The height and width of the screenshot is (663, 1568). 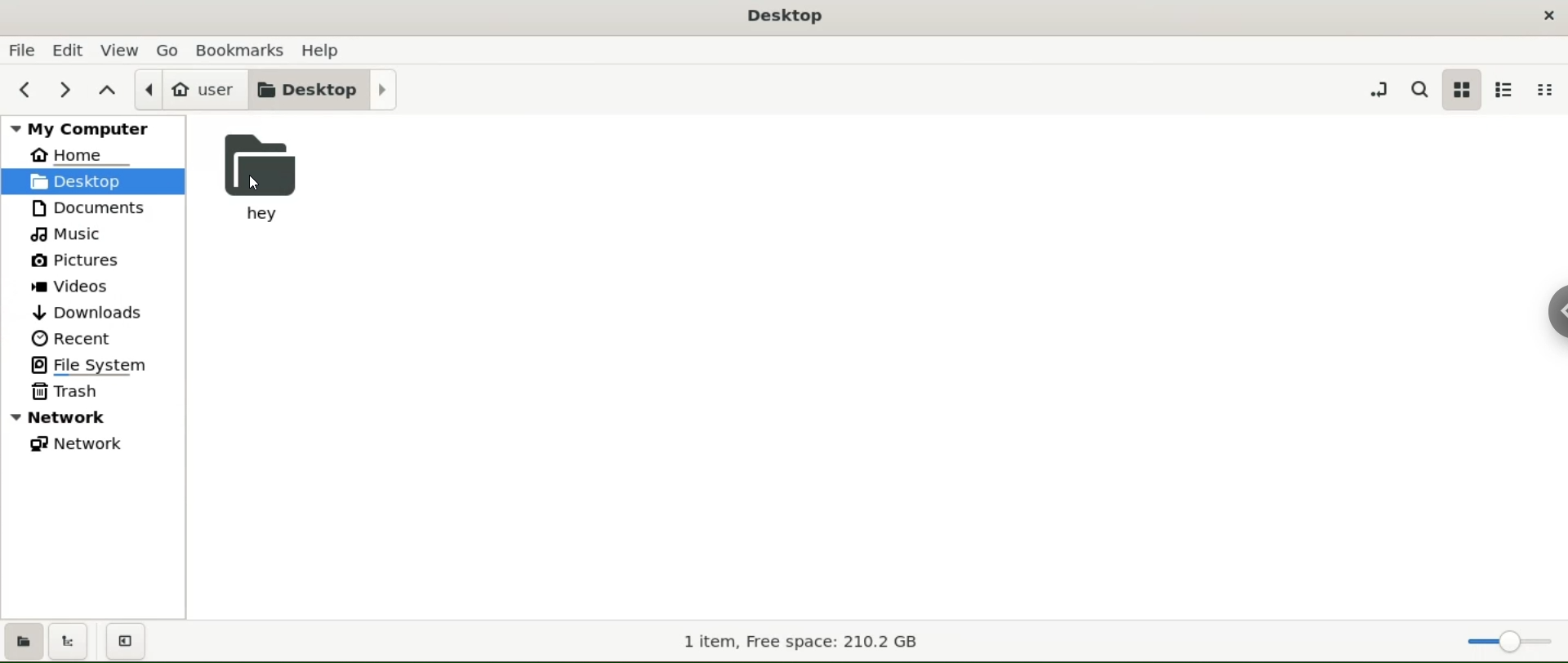 What do you see at coordinates (1463, 89) in the screenshot?
I see `icon view` at bounding box center [1463, 89].